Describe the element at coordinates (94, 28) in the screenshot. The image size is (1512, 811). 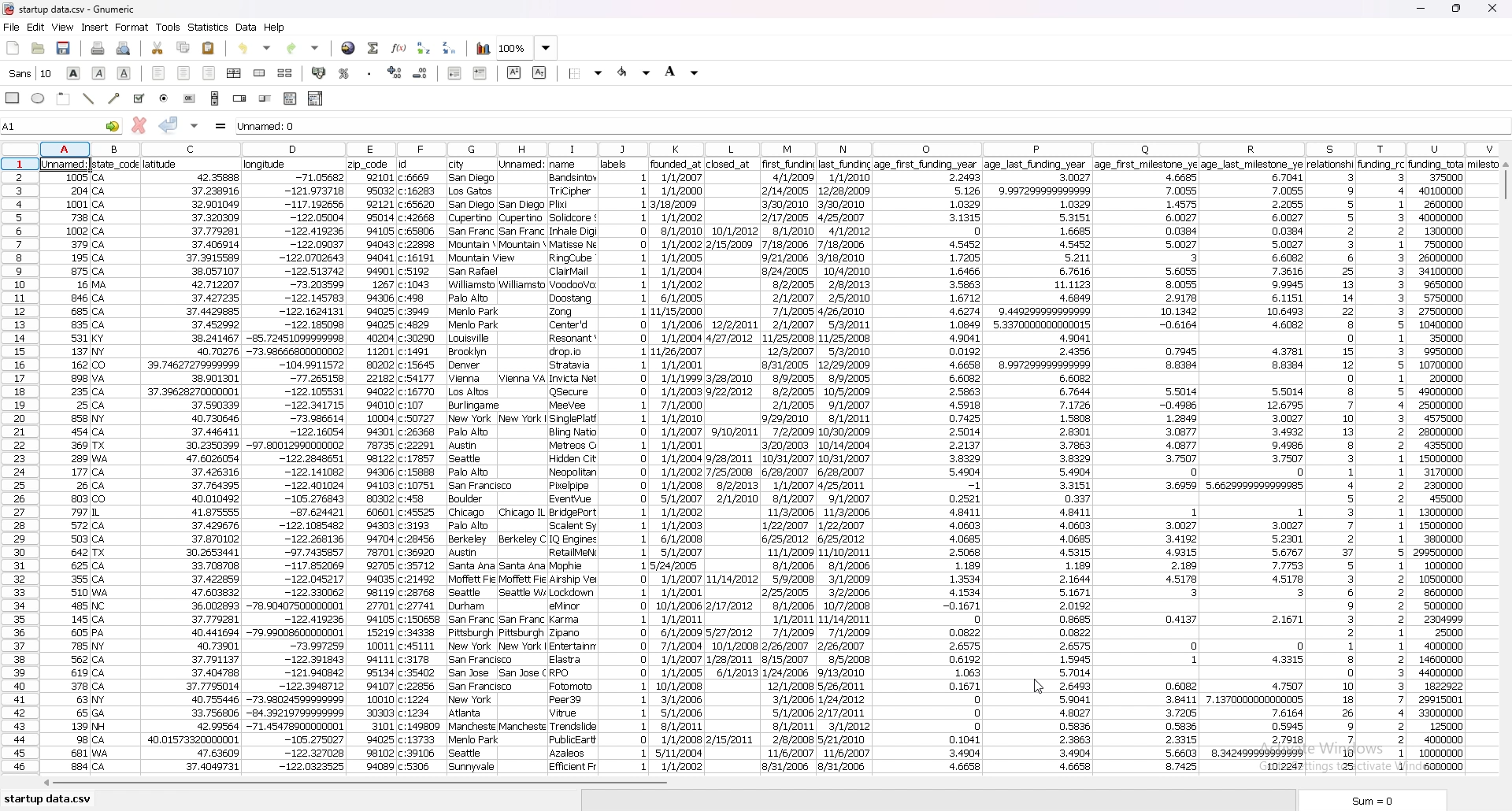
I see `insert` at that location.